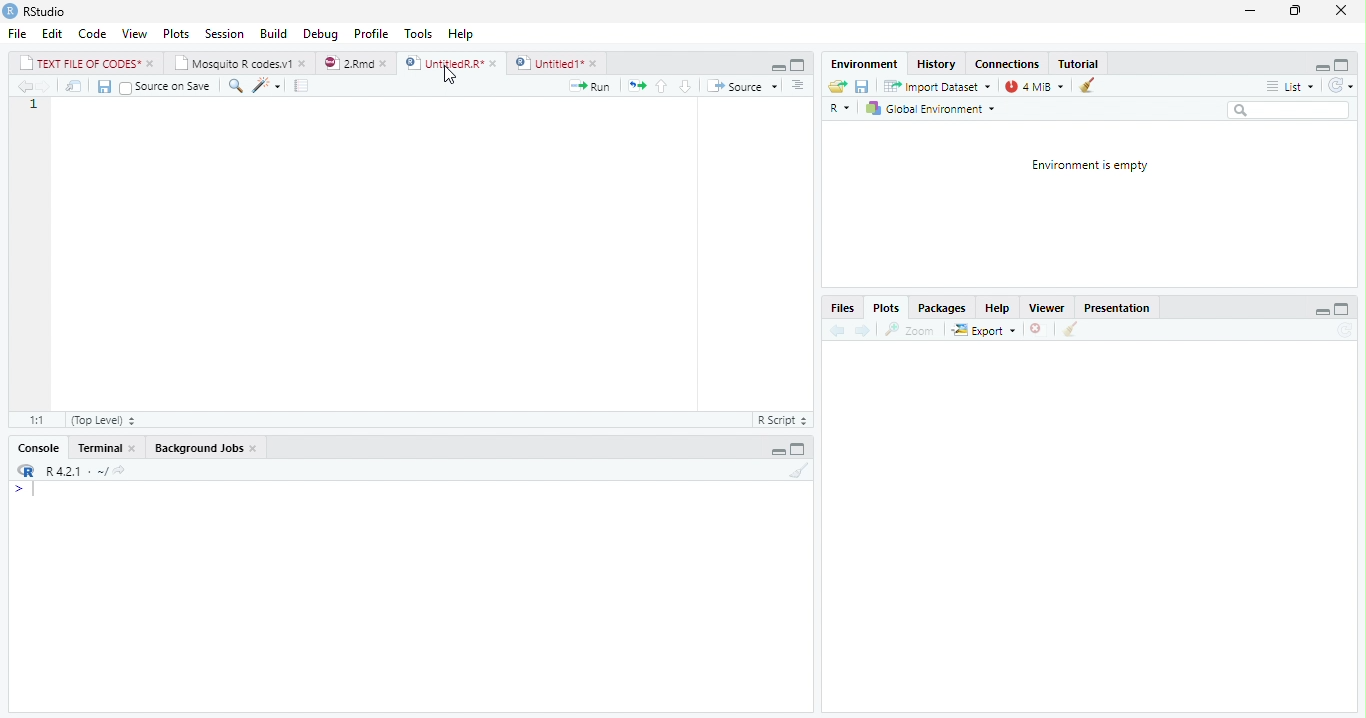 The image size is (1366, 718). I want to click on 9 mb, so click(1036, 87).